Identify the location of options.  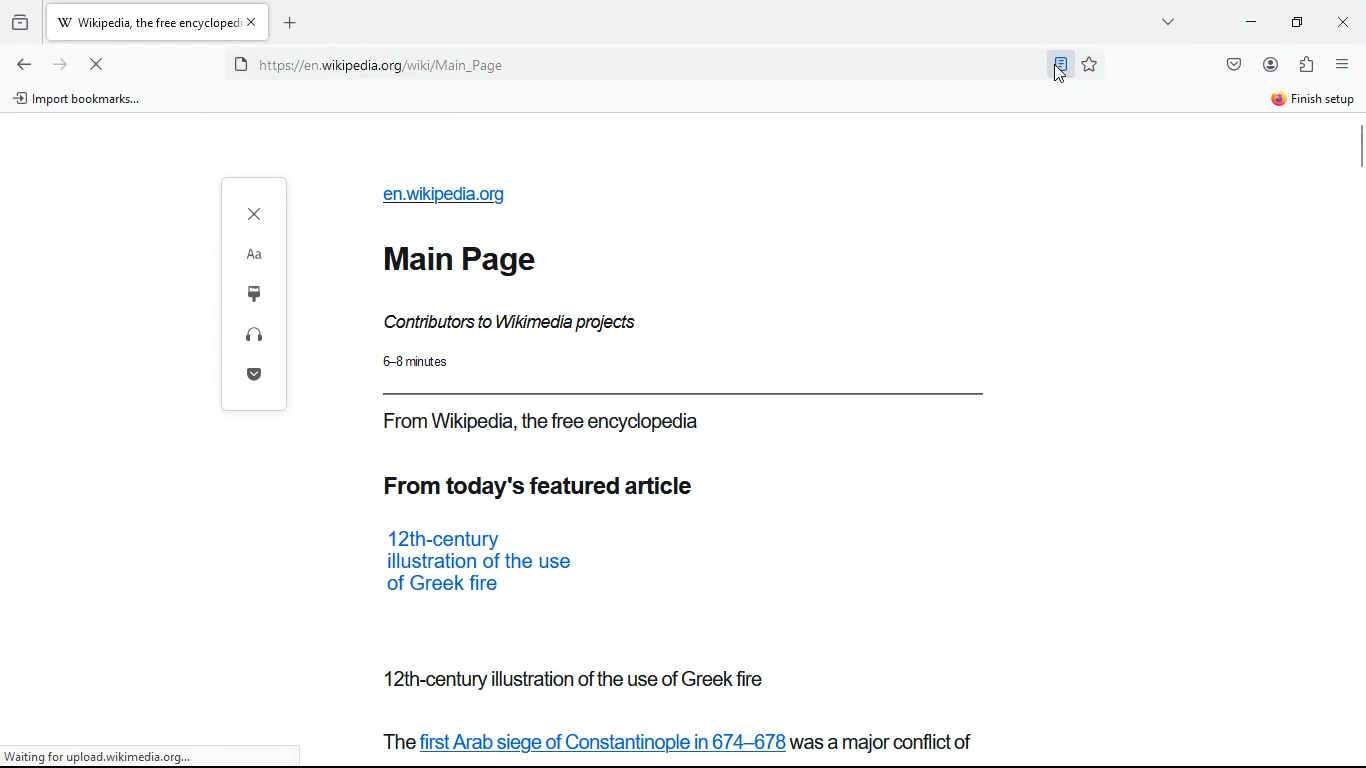
(1342, 64).